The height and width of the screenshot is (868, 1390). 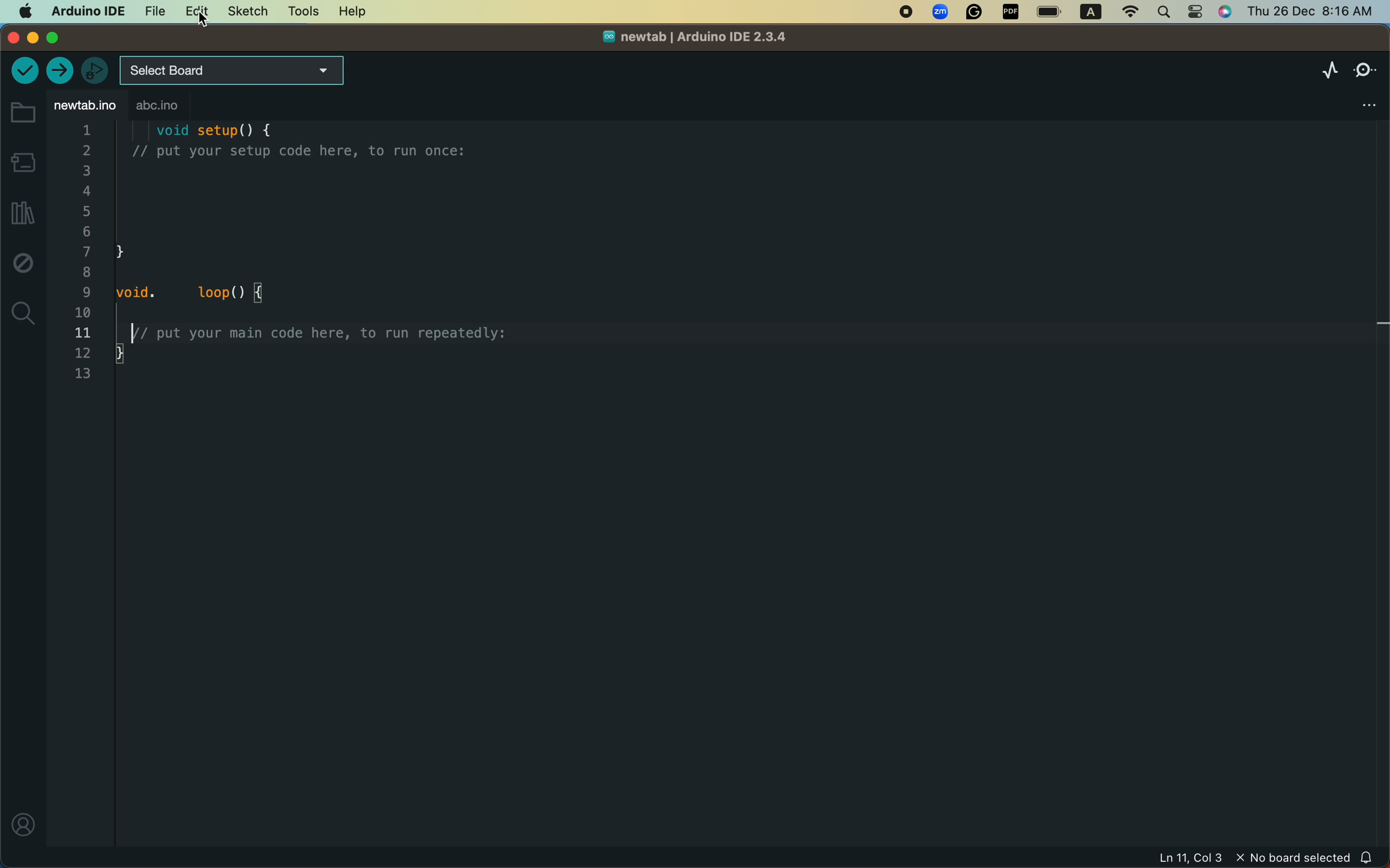 What do you see at coordinates (20, 214) in the screenshot?
I see `library manager` at bounding box center [20, 214].